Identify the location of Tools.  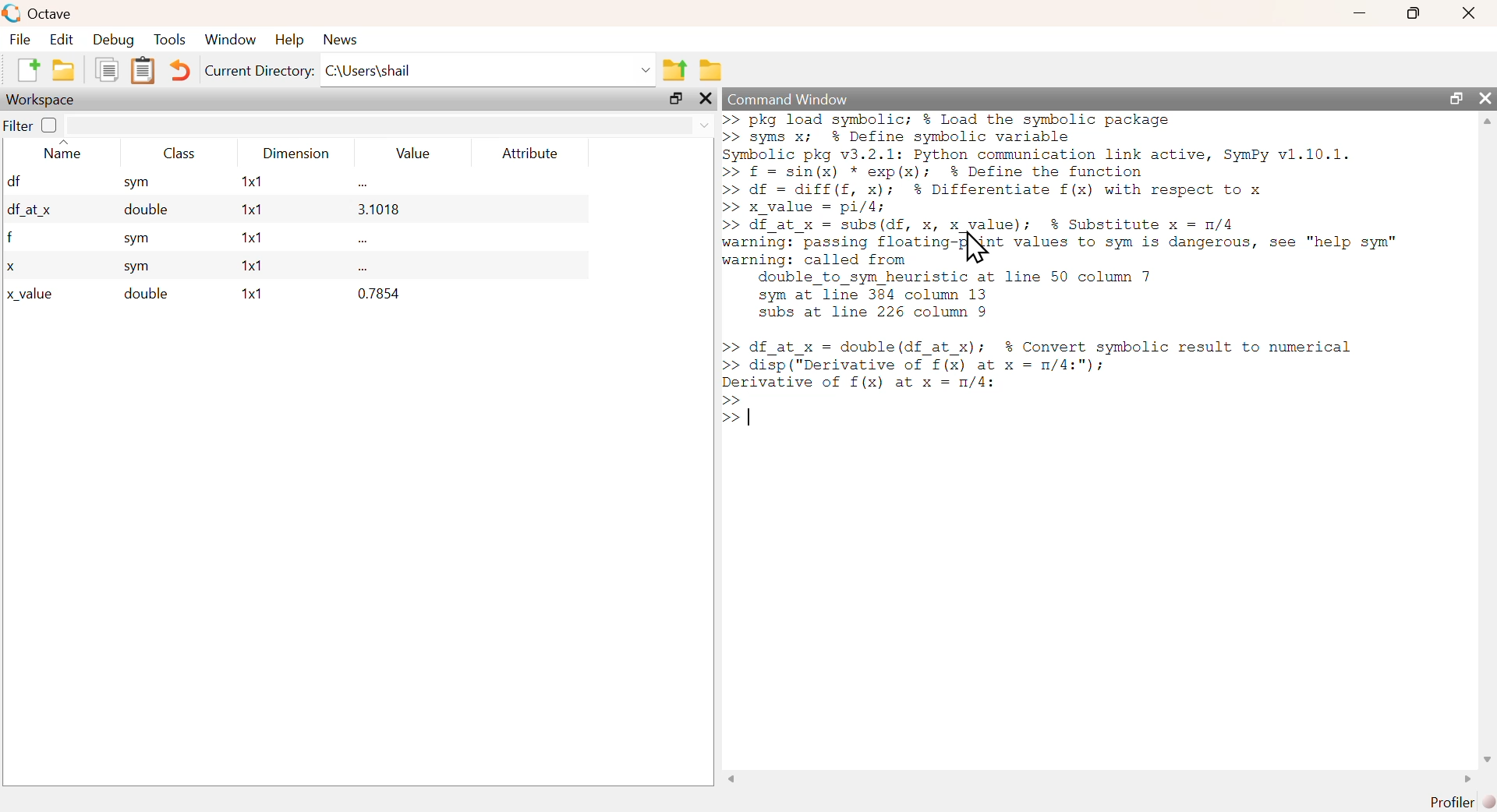
(171, 40).